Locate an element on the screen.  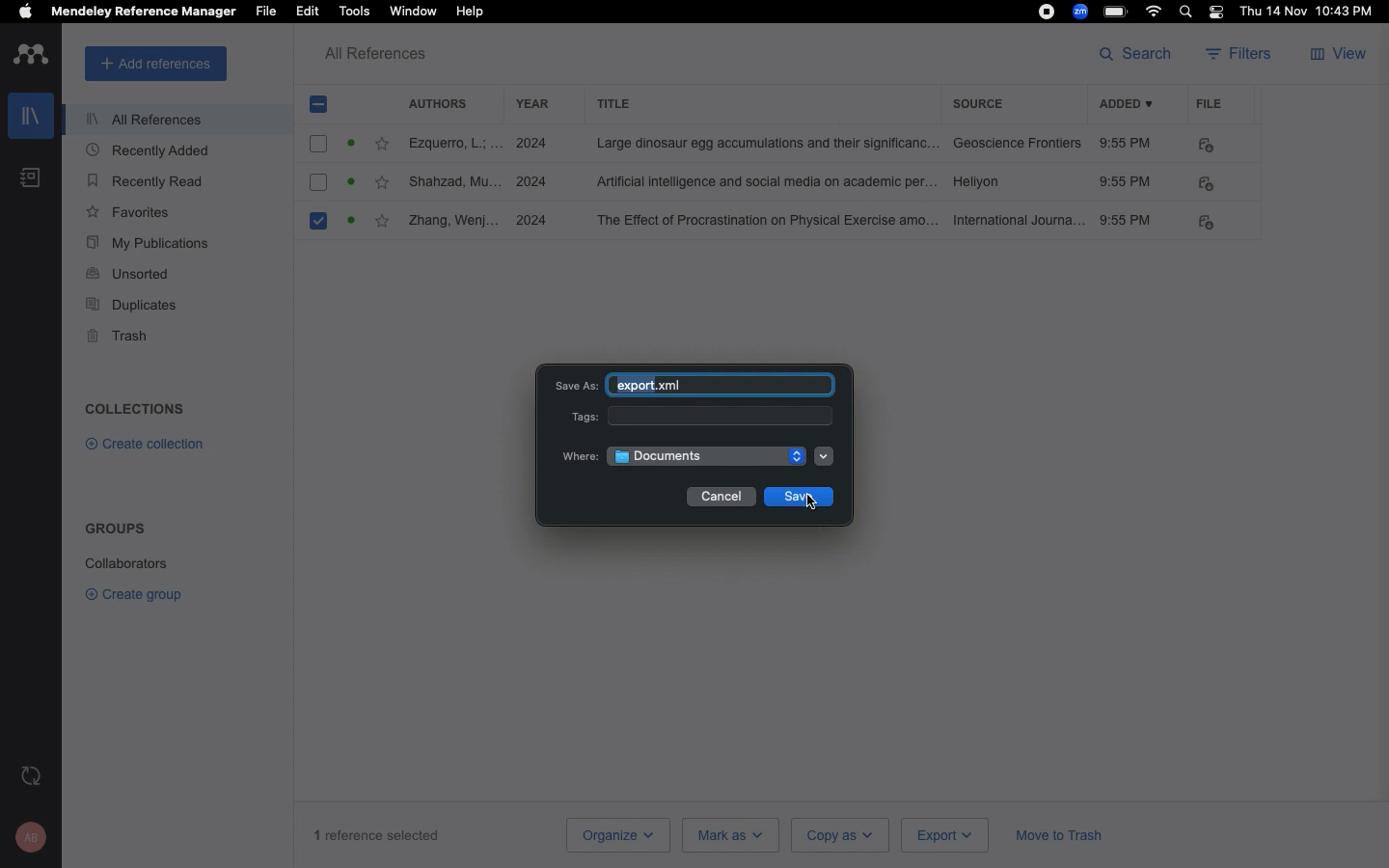
Cancel is located at coordinates (720, 497).